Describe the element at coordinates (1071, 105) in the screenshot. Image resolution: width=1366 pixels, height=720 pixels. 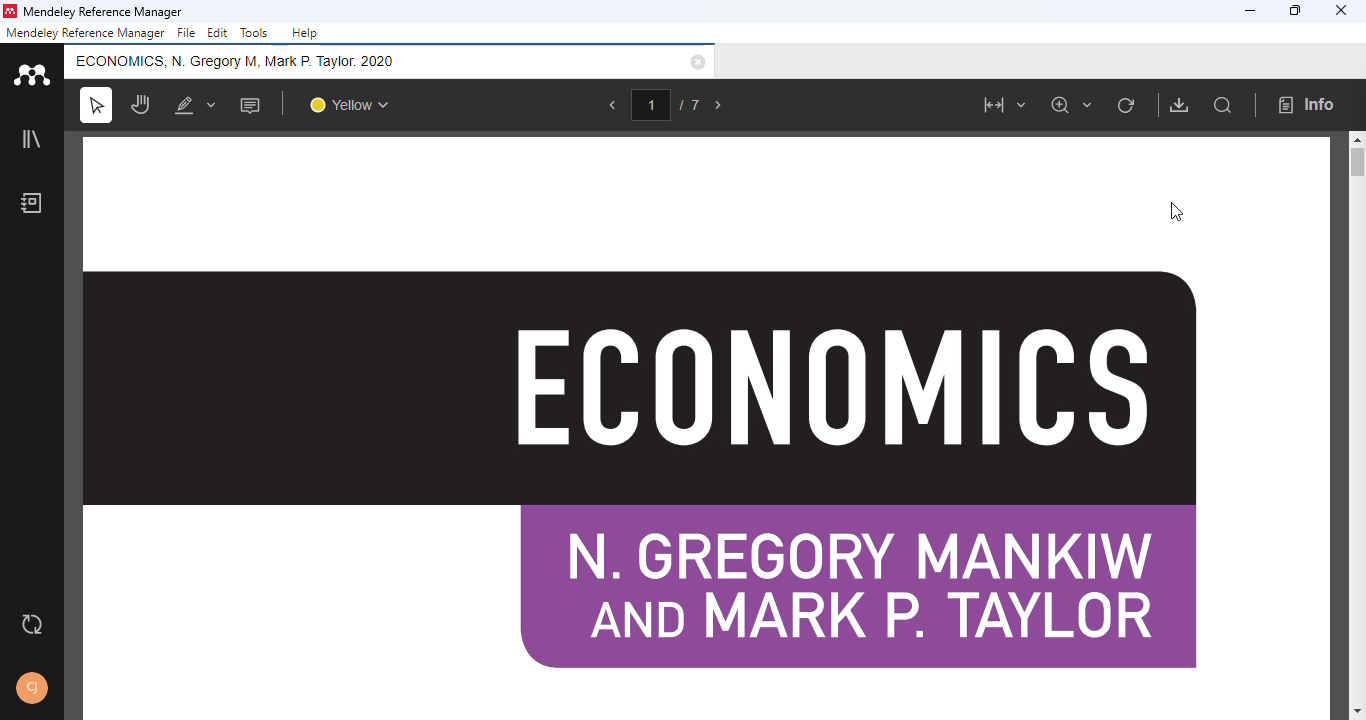
I see `zoom in & out` at that location.